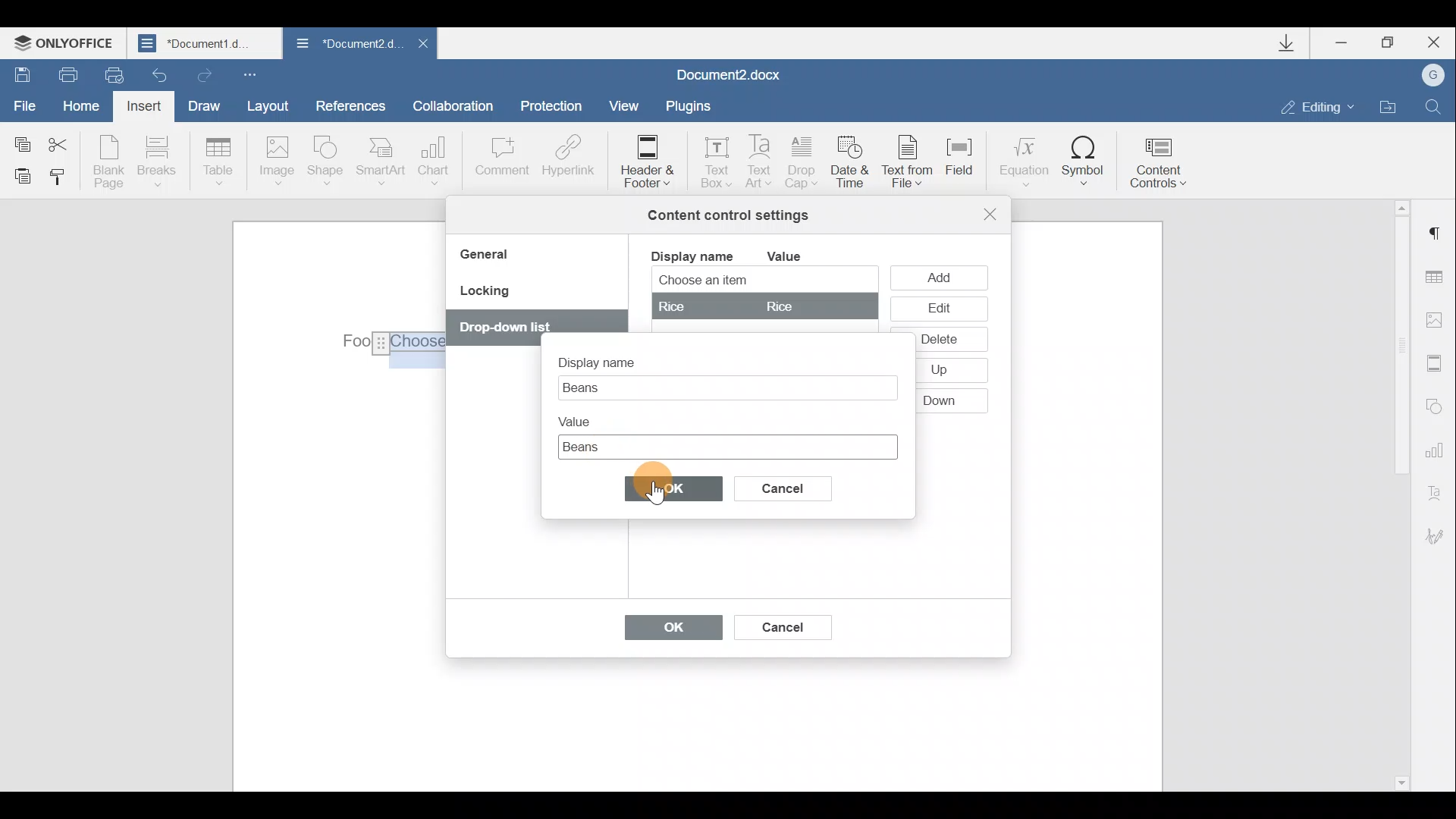  What do you see at coordinates (1022, 158) in the screenshot?
I see `Equation` at bounding box center [1022, 158].